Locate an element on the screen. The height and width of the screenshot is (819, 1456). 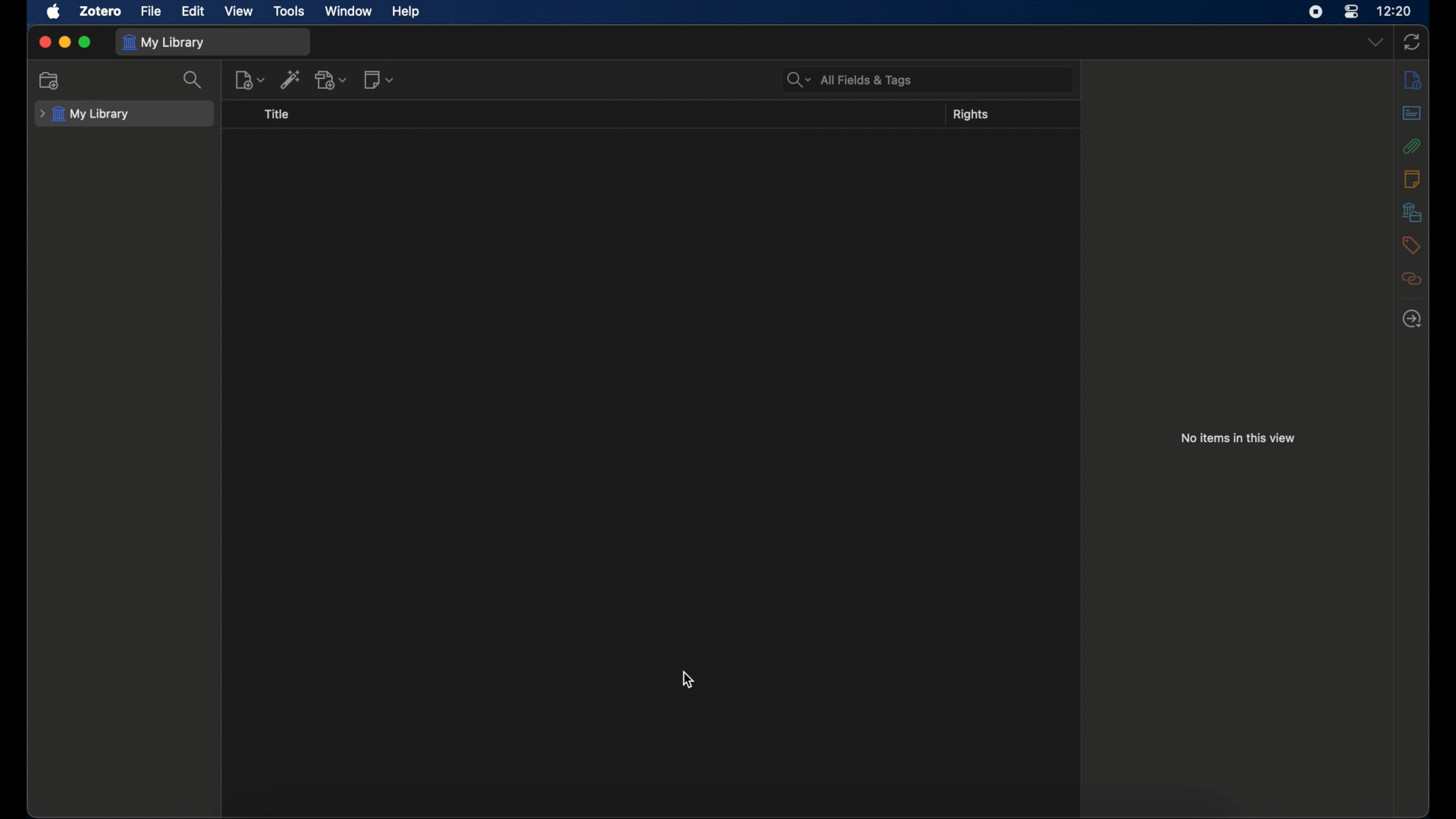
sync is located at coordinates (1411, 42).